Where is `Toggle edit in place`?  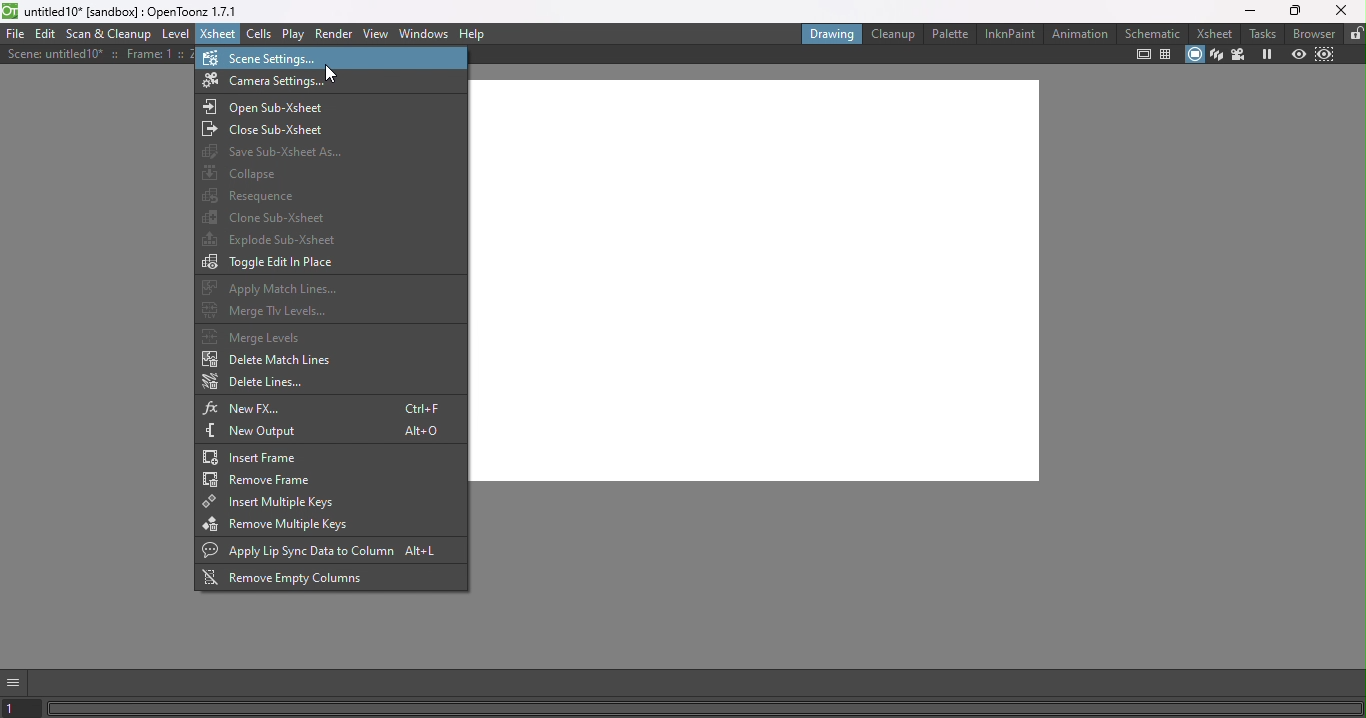 Toggle edit in place is located at coordinates (270, 262).